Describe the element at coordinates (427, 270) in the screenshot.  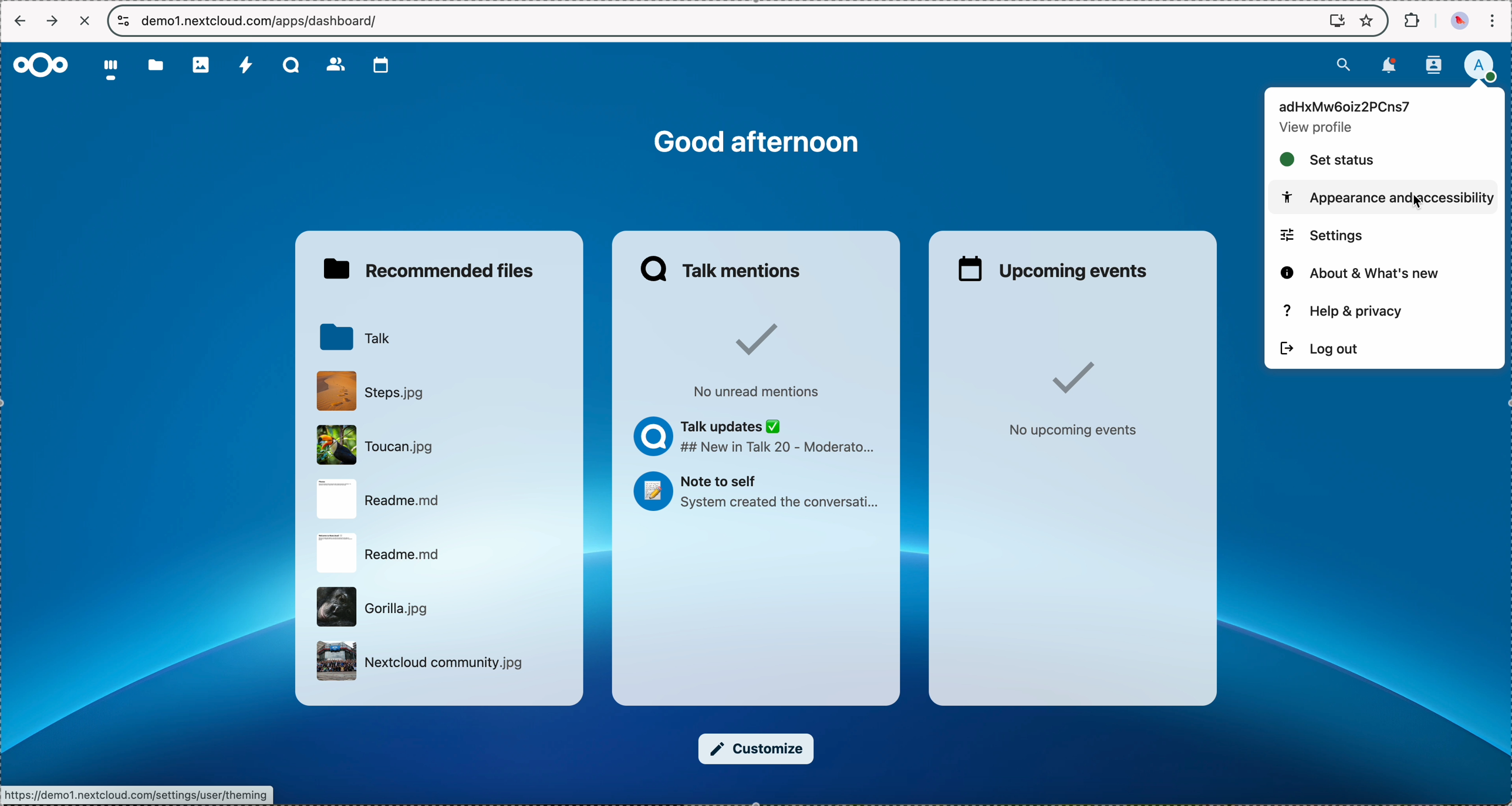
I see `recommended files` at that location.